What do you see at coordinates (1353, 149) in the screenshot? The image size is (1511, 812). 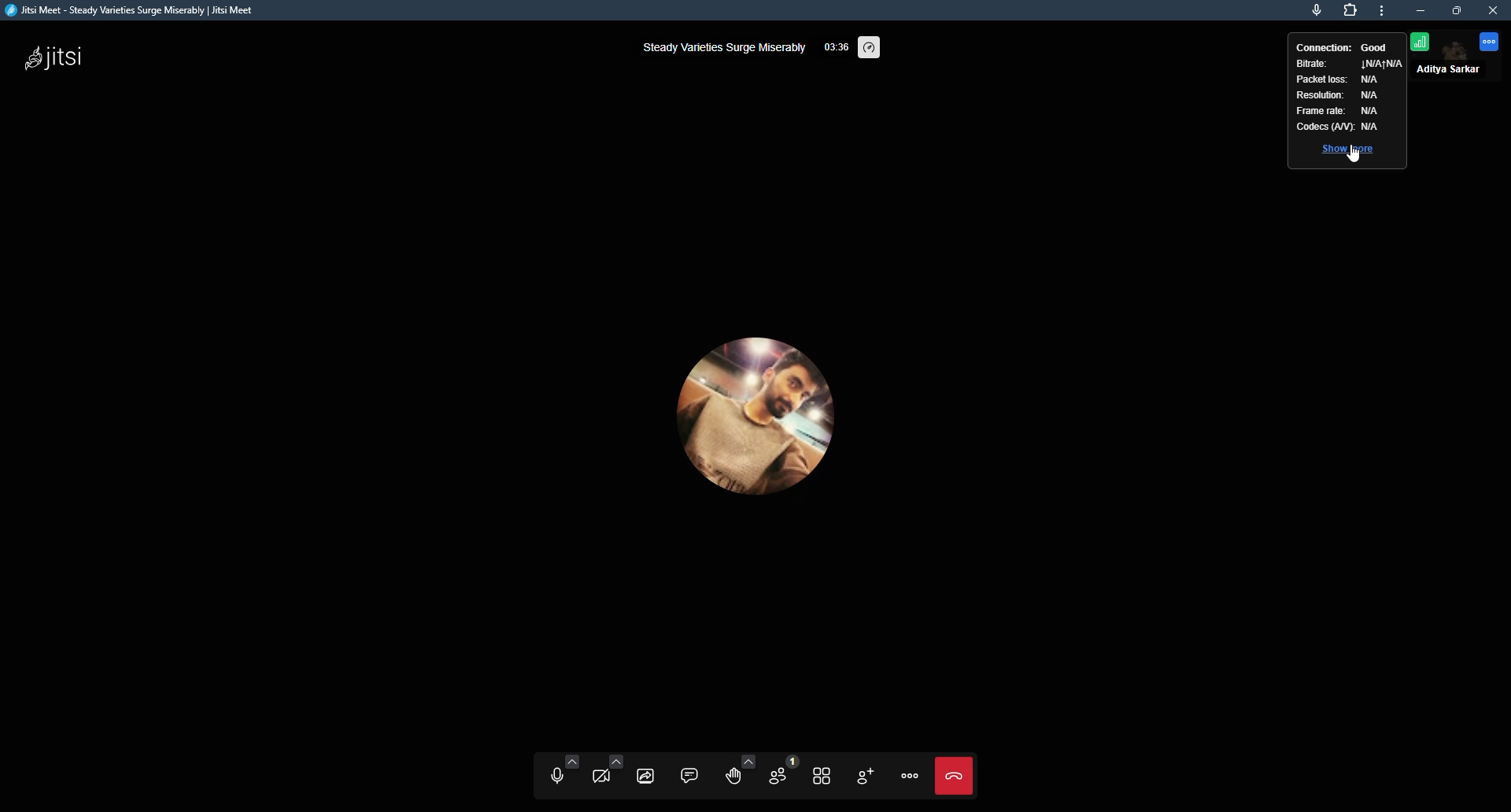 I see `show more` at bounding box center [1353, 149].